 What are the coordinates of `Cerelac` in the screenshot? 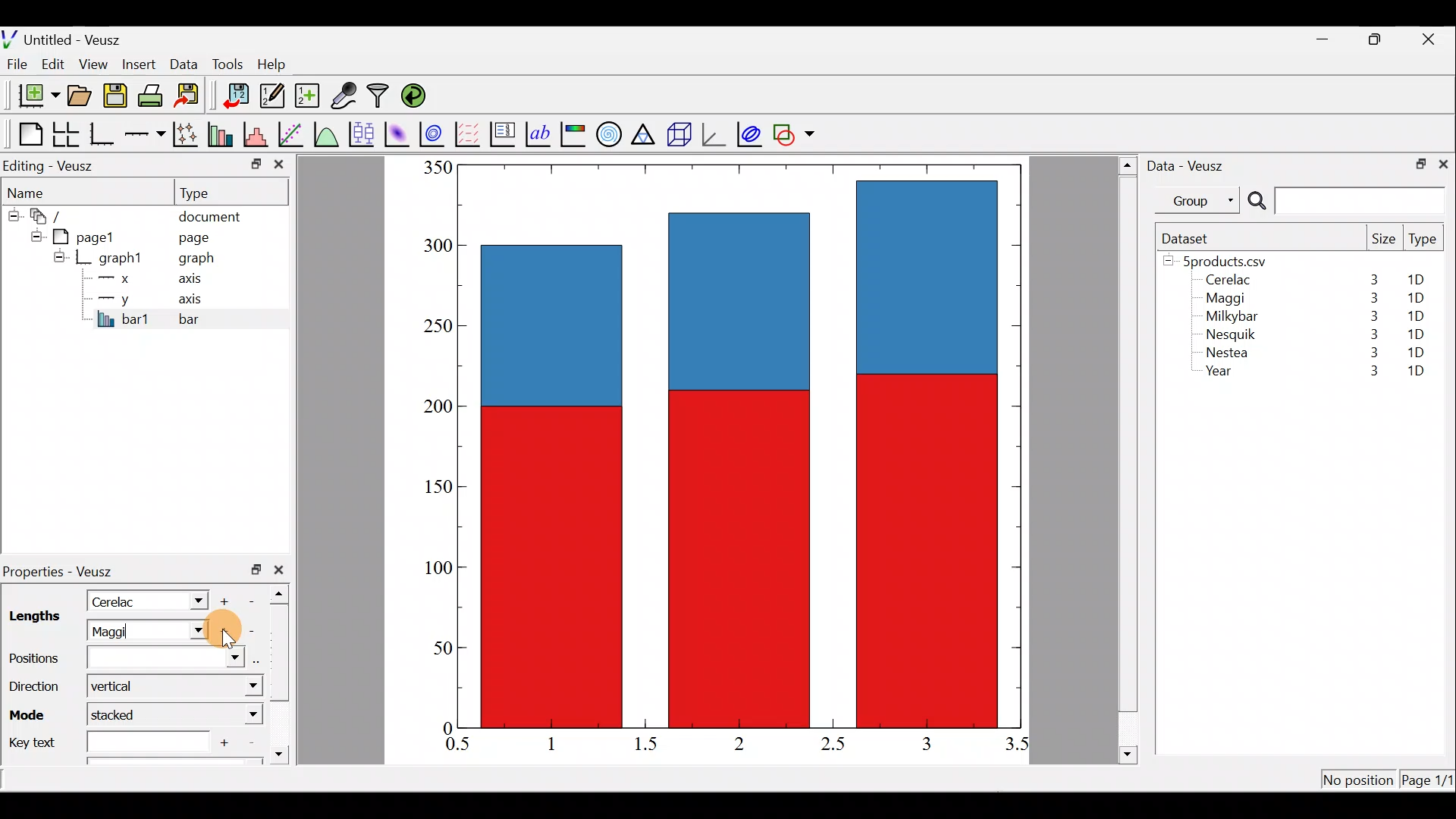 It's located at (1225, 281).